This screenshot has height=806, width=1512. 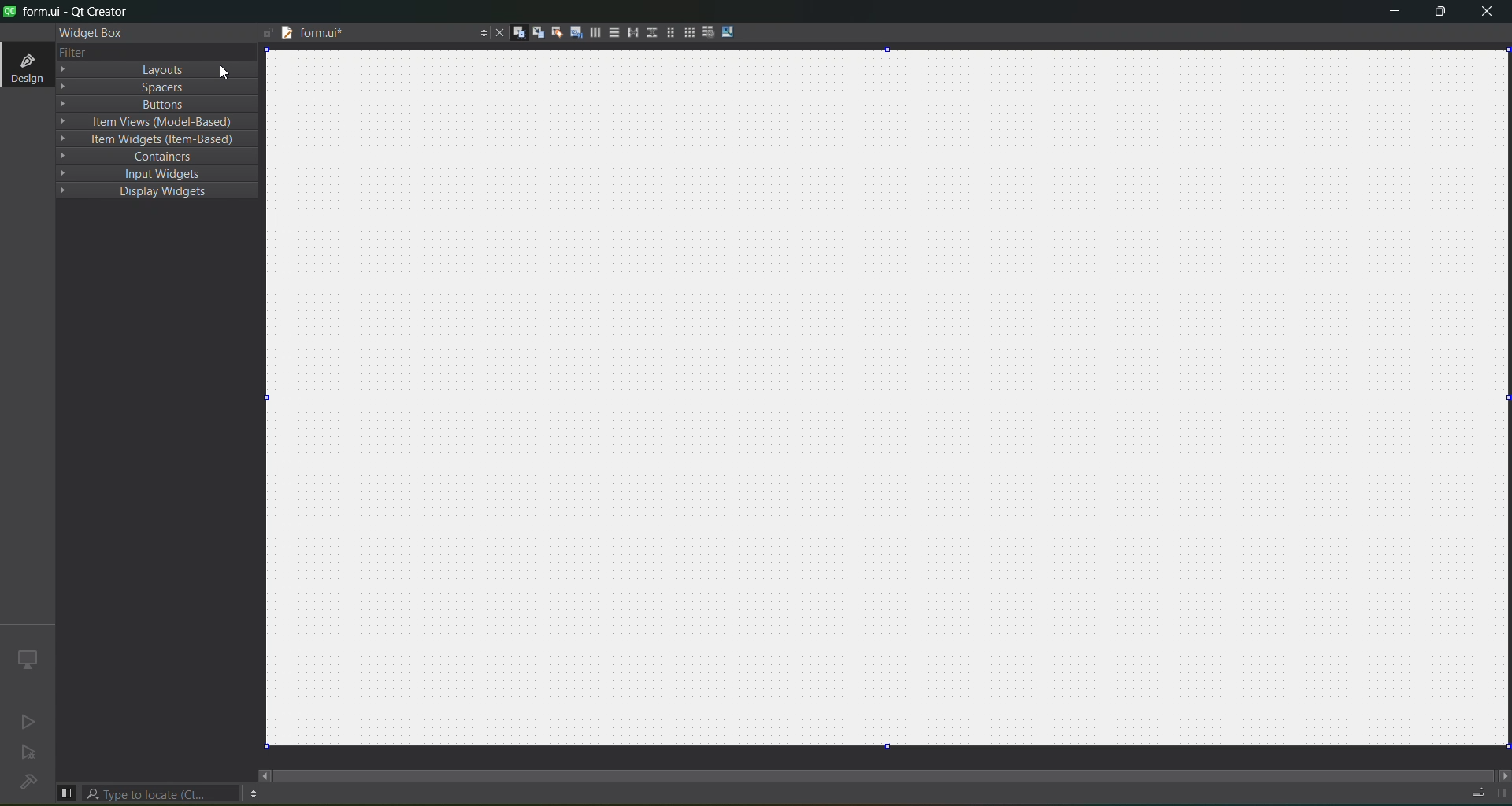 What do you see at coordinates (576, 35) in the screenshot?
I see `edit tab` at bounding box center [576, 35].